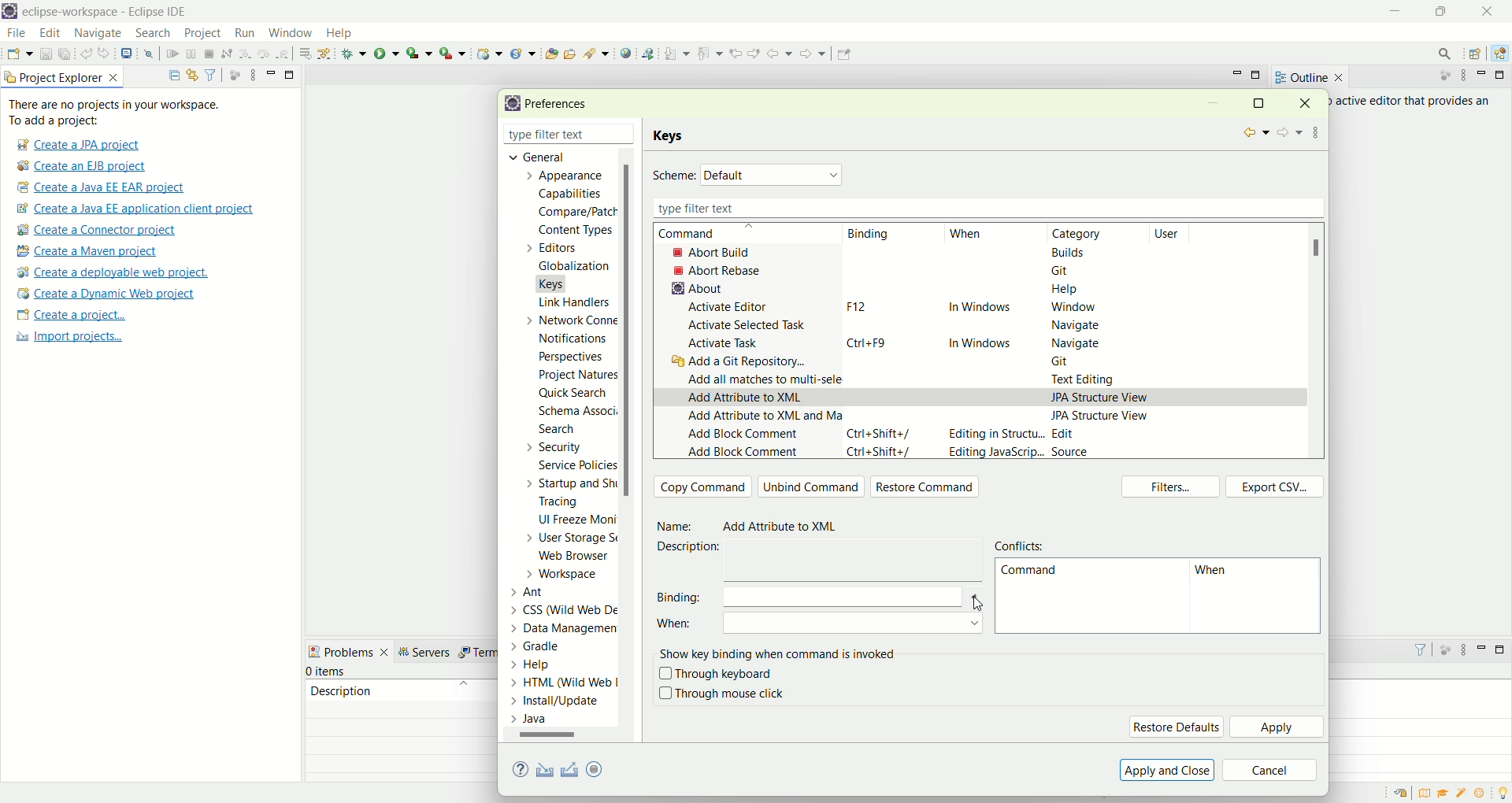 The image size is (1512, 803). Describe the element at coordinates (209, 55) in the screenshot. I see `terminate` at that location.